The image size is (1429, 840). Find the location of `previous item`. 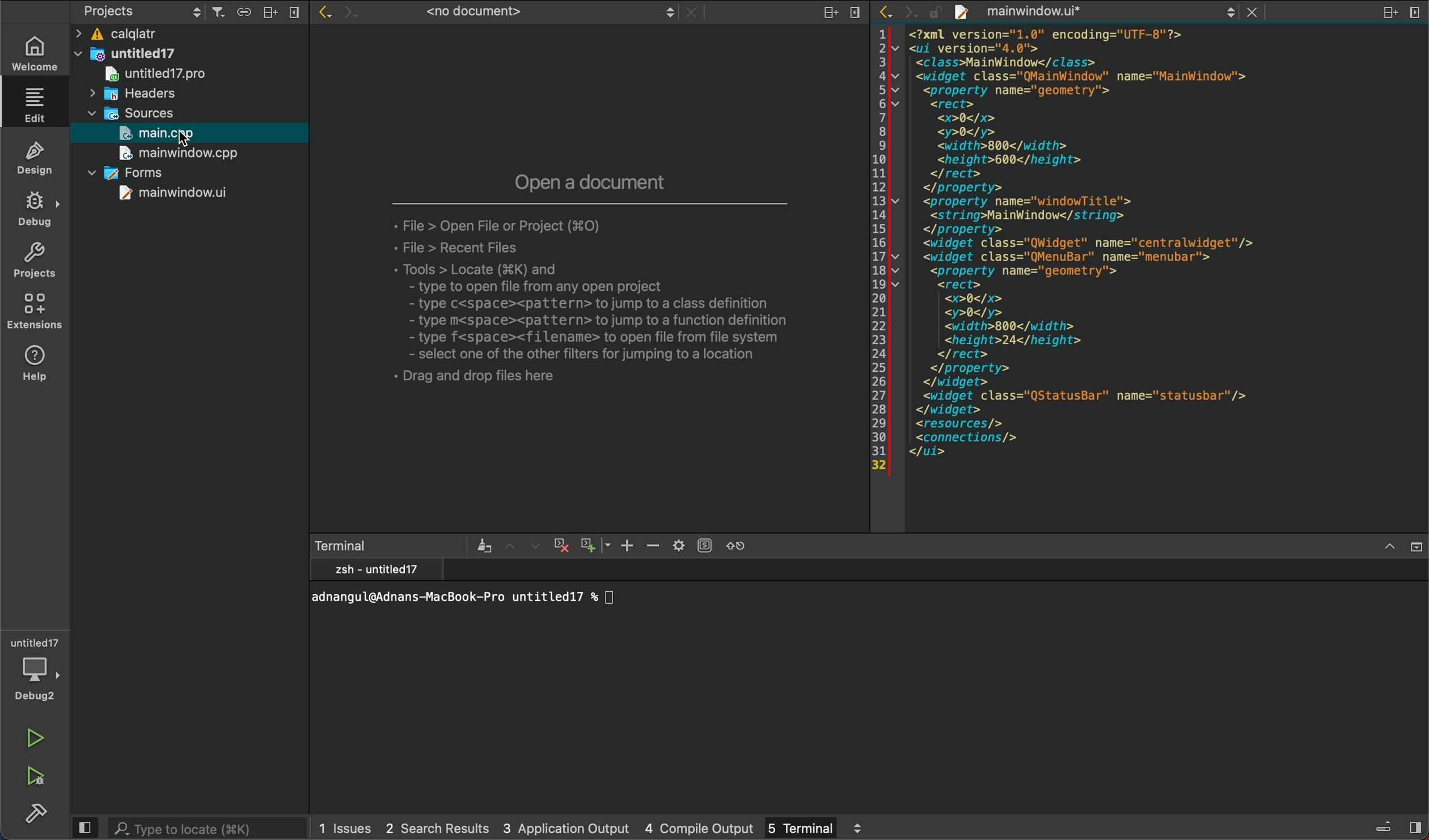

previous item is located at coordinates (512, 546).